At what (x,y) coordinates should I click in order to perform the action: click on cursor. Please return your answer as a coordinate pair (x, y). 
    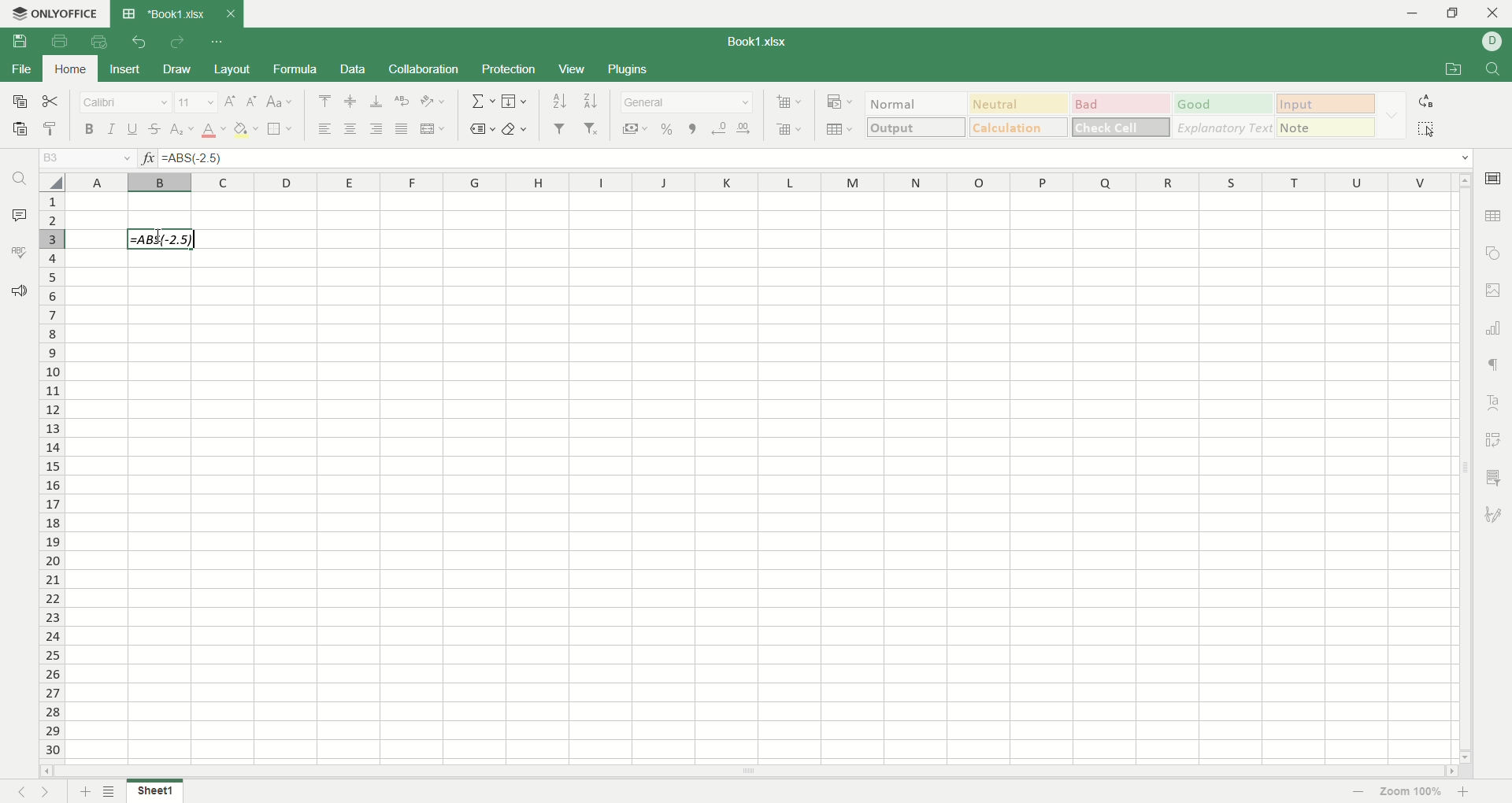
    Looking at the image, I should click on (157, 238).